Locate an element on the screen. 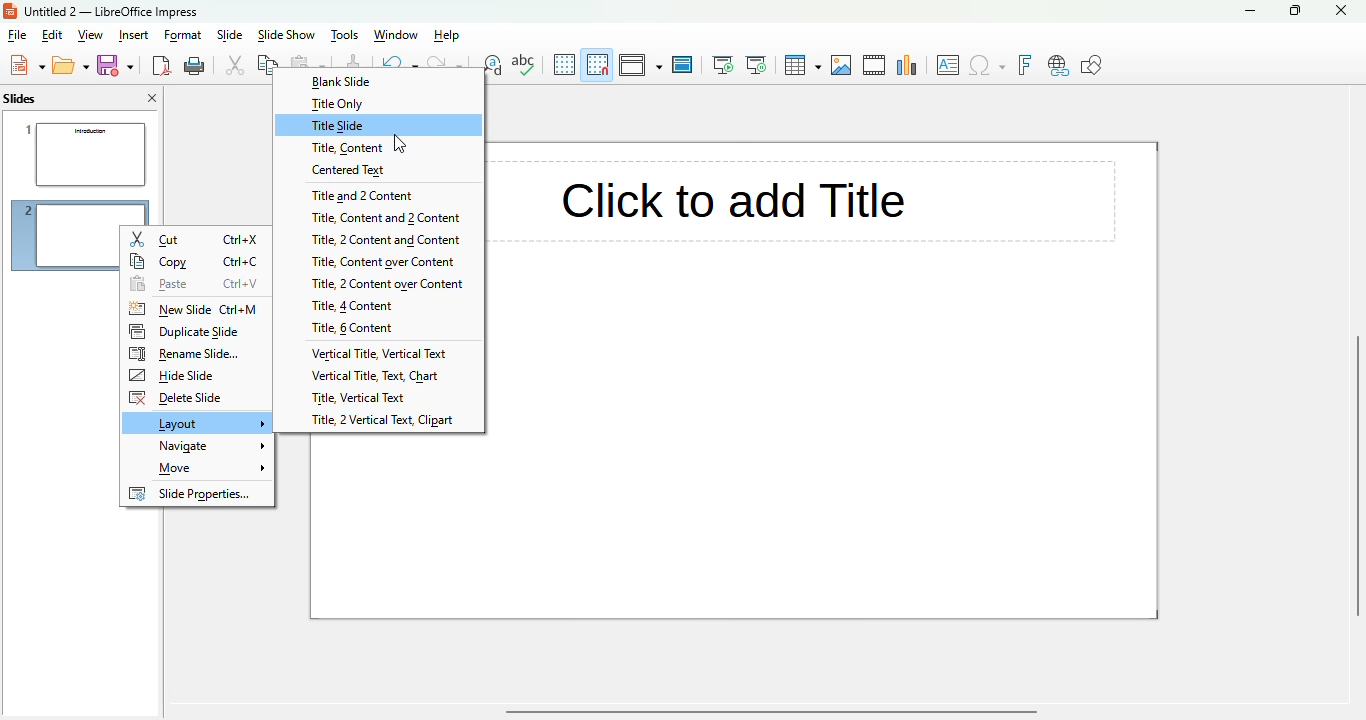 The image size is (1366, 720). insert hyperlink is located at coordinates (1059, 66).